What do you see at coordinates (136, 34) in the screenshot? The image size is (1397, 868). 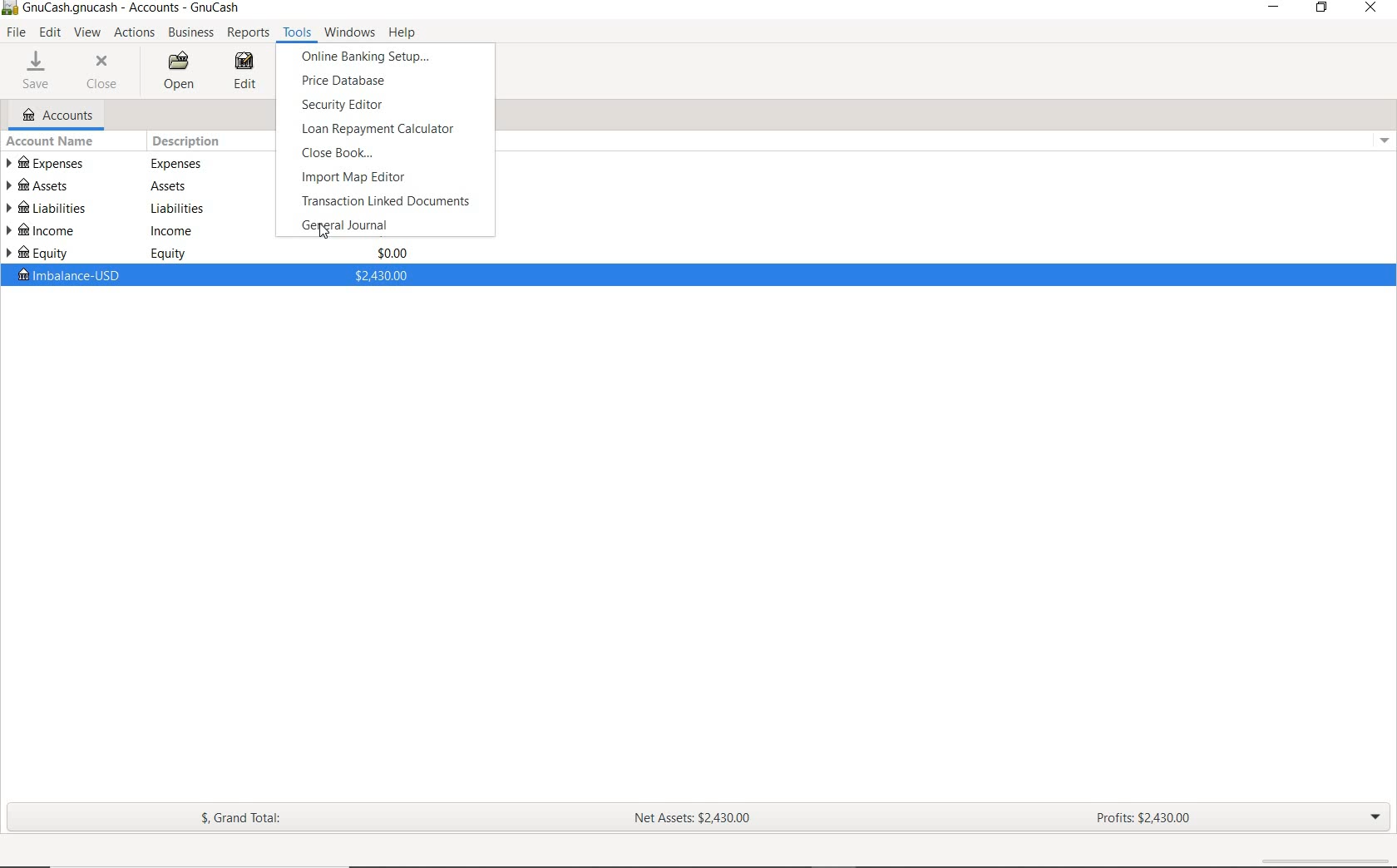 I see `ACTIONS` at bounding box center [136, 34].